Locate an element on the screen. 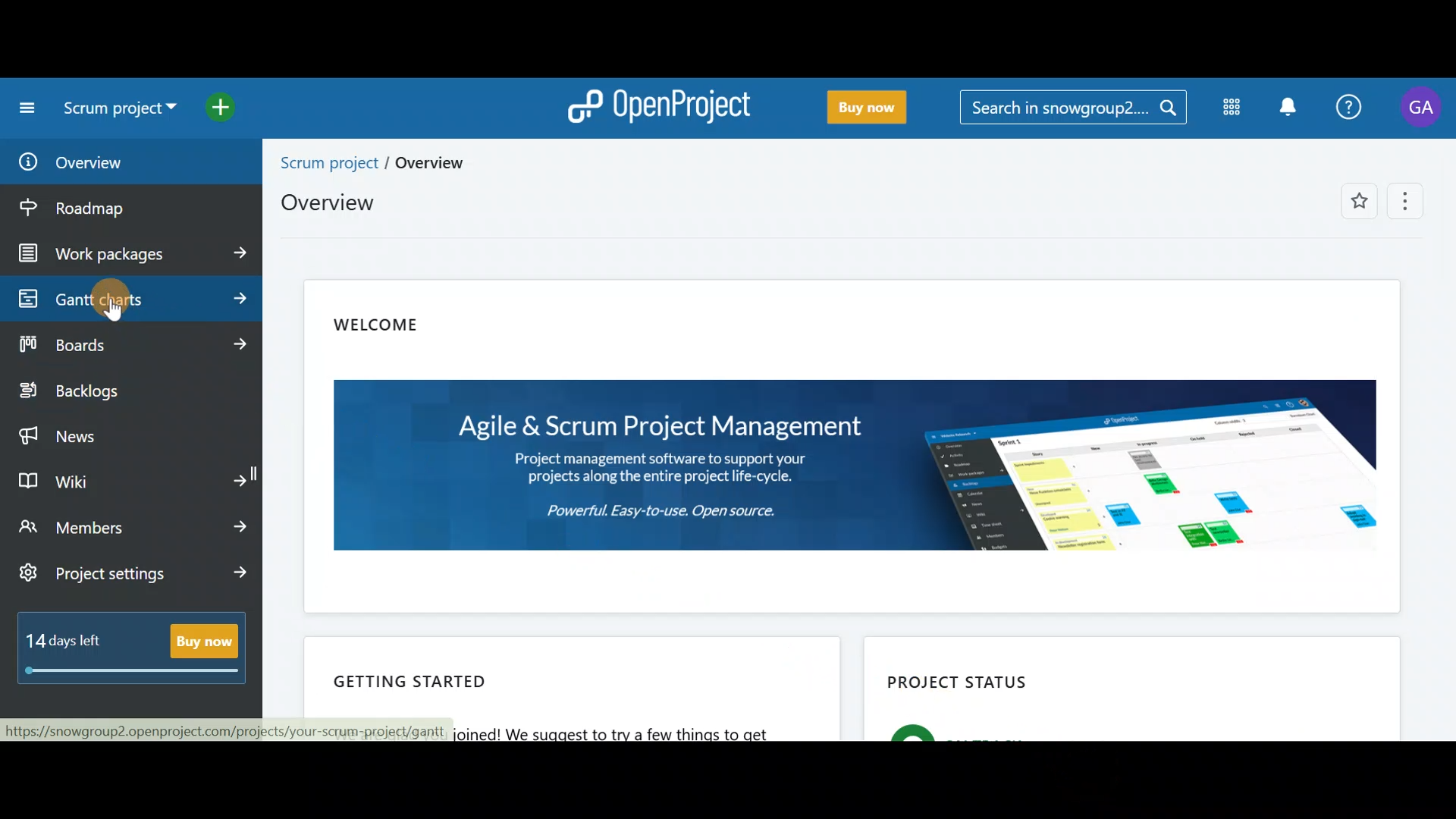 This screenshot has height=819, width=1456. Overview is located at coordinates (338, 202).